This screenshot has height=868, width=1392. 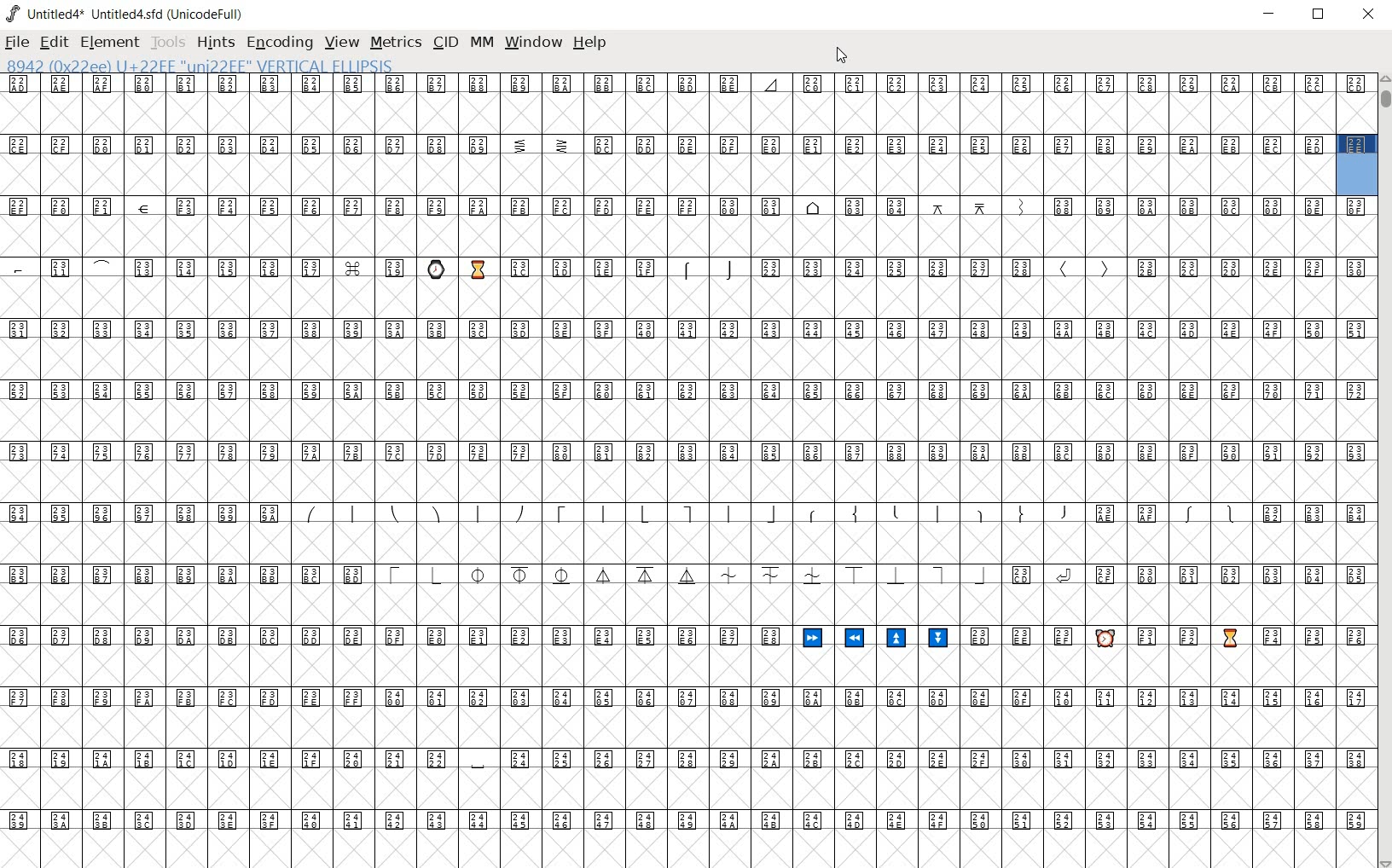 What do you see at coordinates (481, 45) in the screenshot?
I see `MM` at bounding box center [481, 45].